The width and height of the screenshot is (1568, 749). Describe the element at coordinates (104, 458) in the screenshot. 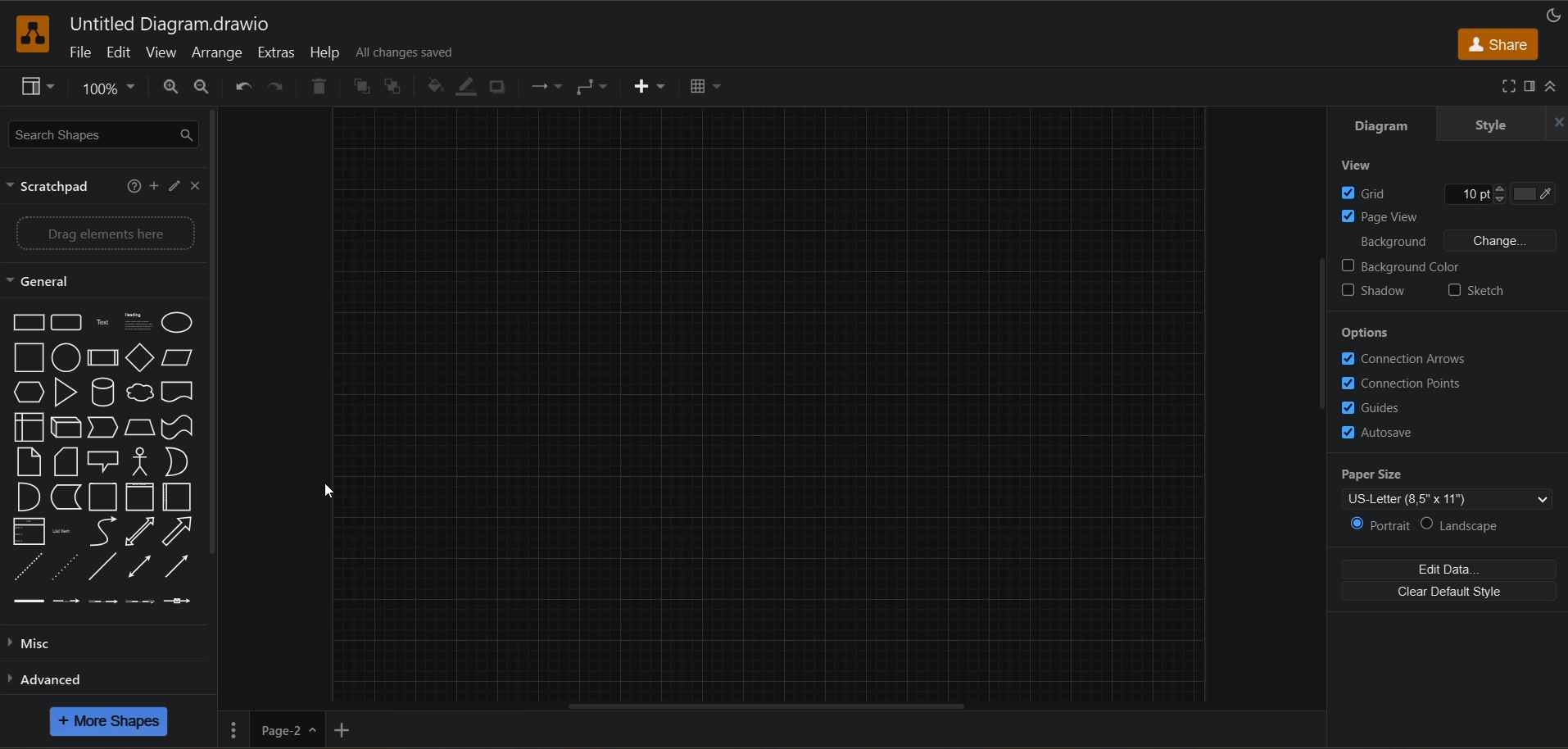

I see `shapes` at that location.